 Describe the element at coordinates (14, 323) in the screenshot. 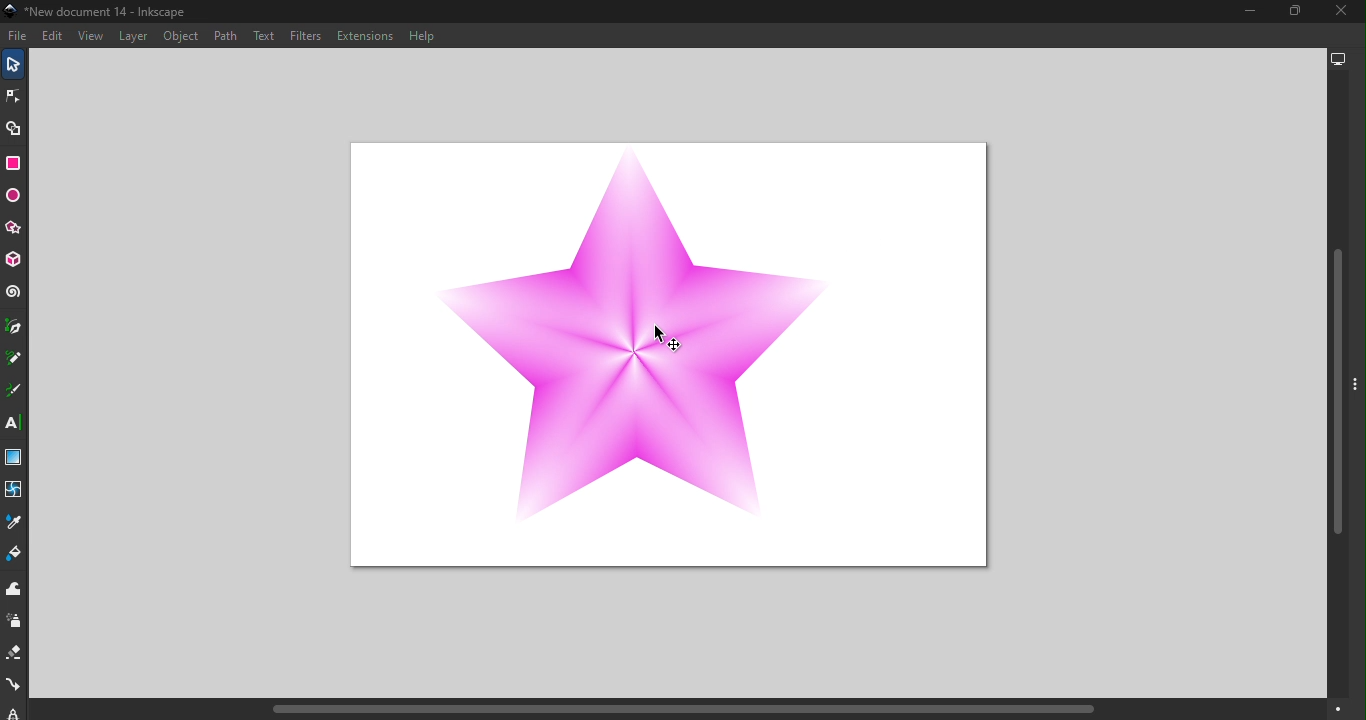

I see `Pen tool` at that location.